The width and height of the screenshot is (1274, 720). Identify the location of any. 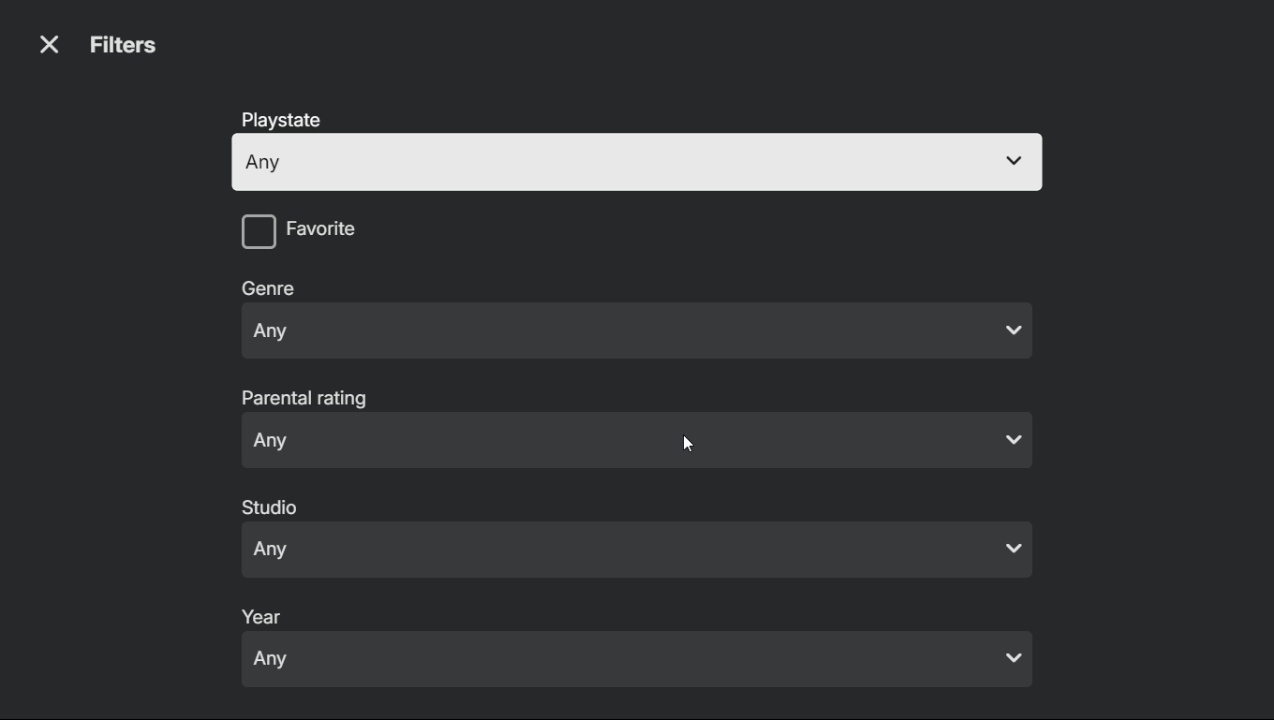
(639, 163).